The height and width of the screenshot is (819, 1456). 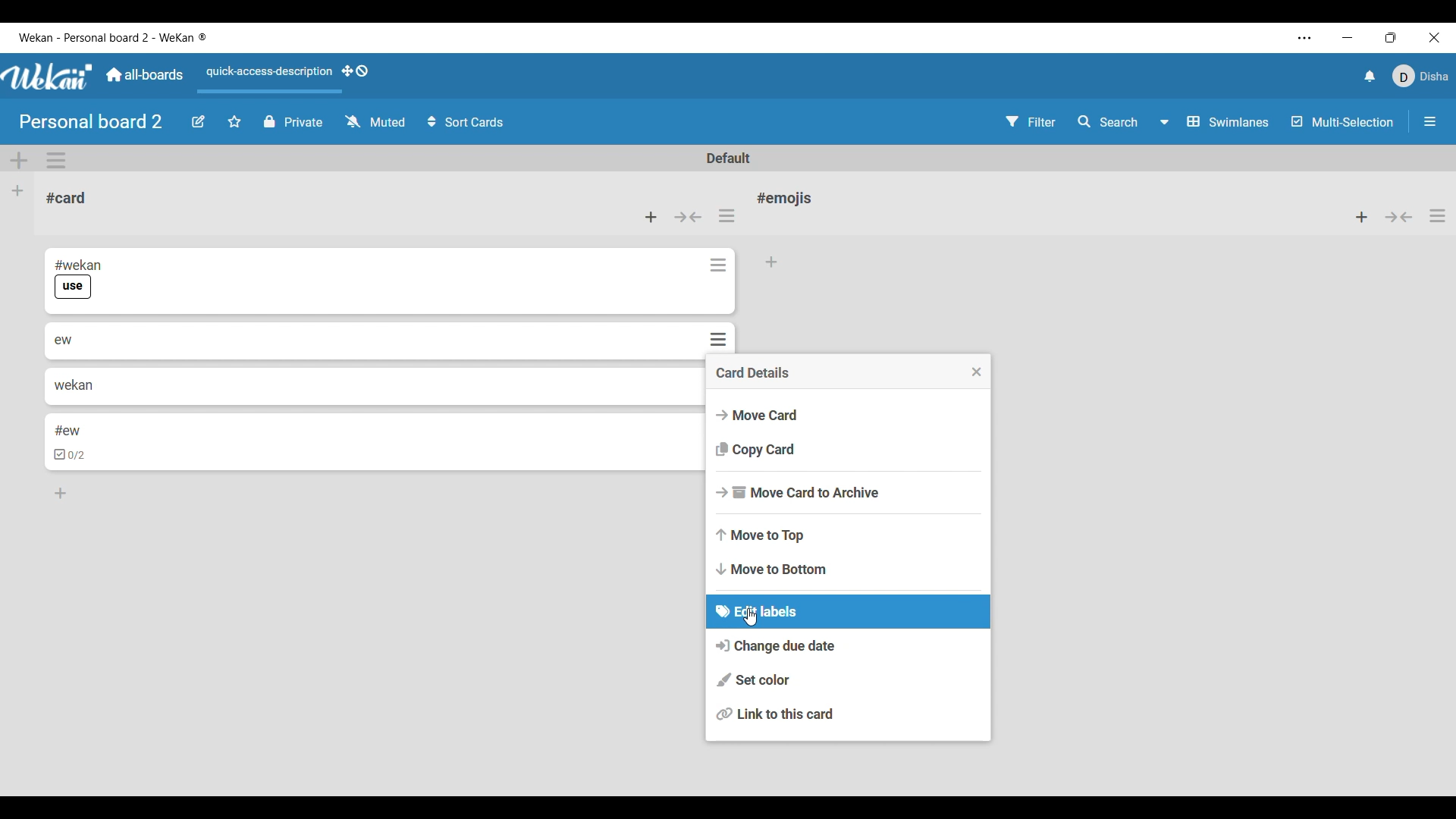 What do you see at coordinates (1399, 217) in the screenshot?
I see `Collapse` at bounding box center [1399, 217].